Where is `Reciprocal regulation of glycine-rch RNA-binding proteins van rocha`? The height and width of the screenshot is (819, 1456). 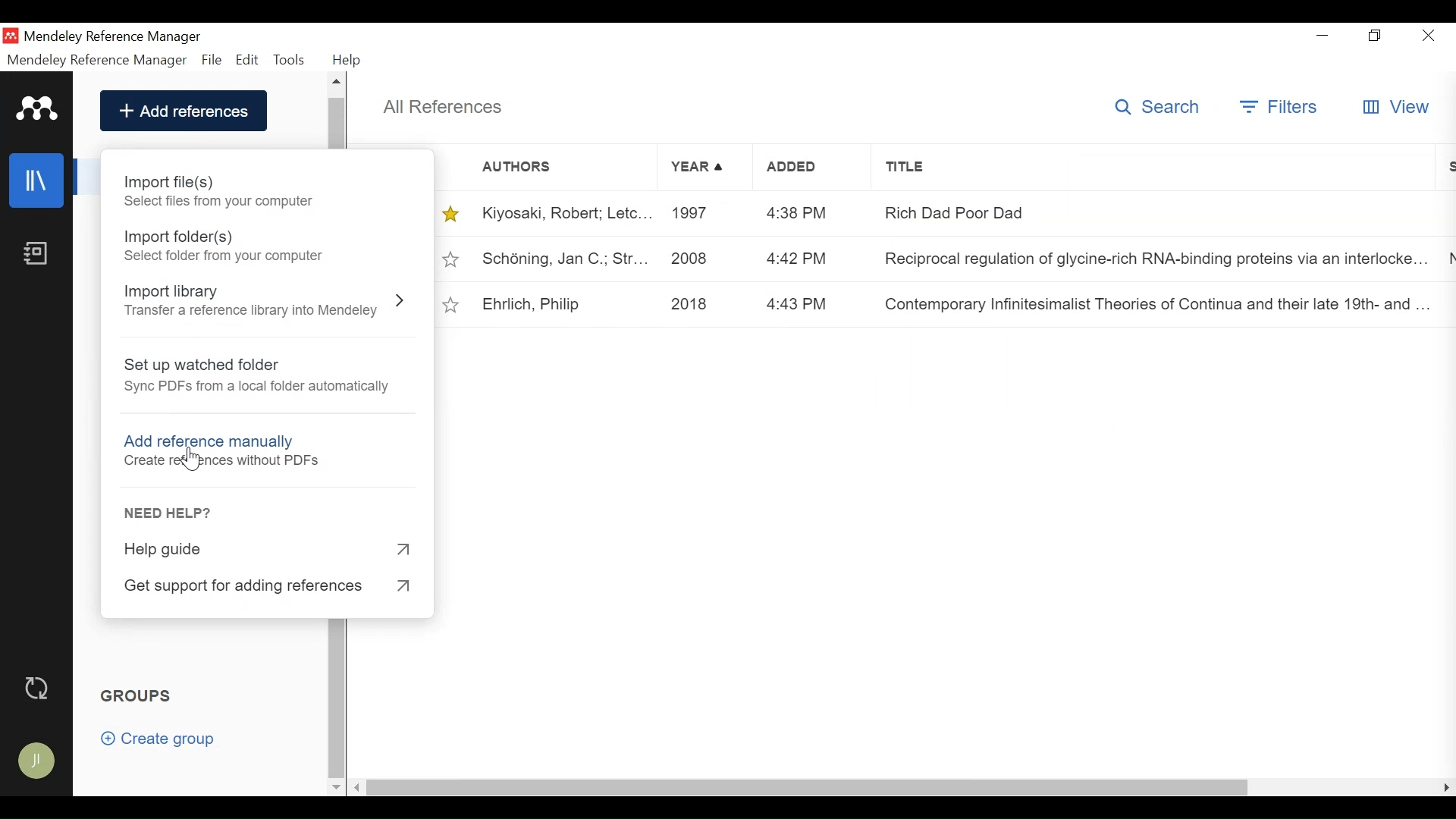
Reciprocal regulation of glycine-rch RNA-binding proteins van rocha is located at coordinates (1154, 262).